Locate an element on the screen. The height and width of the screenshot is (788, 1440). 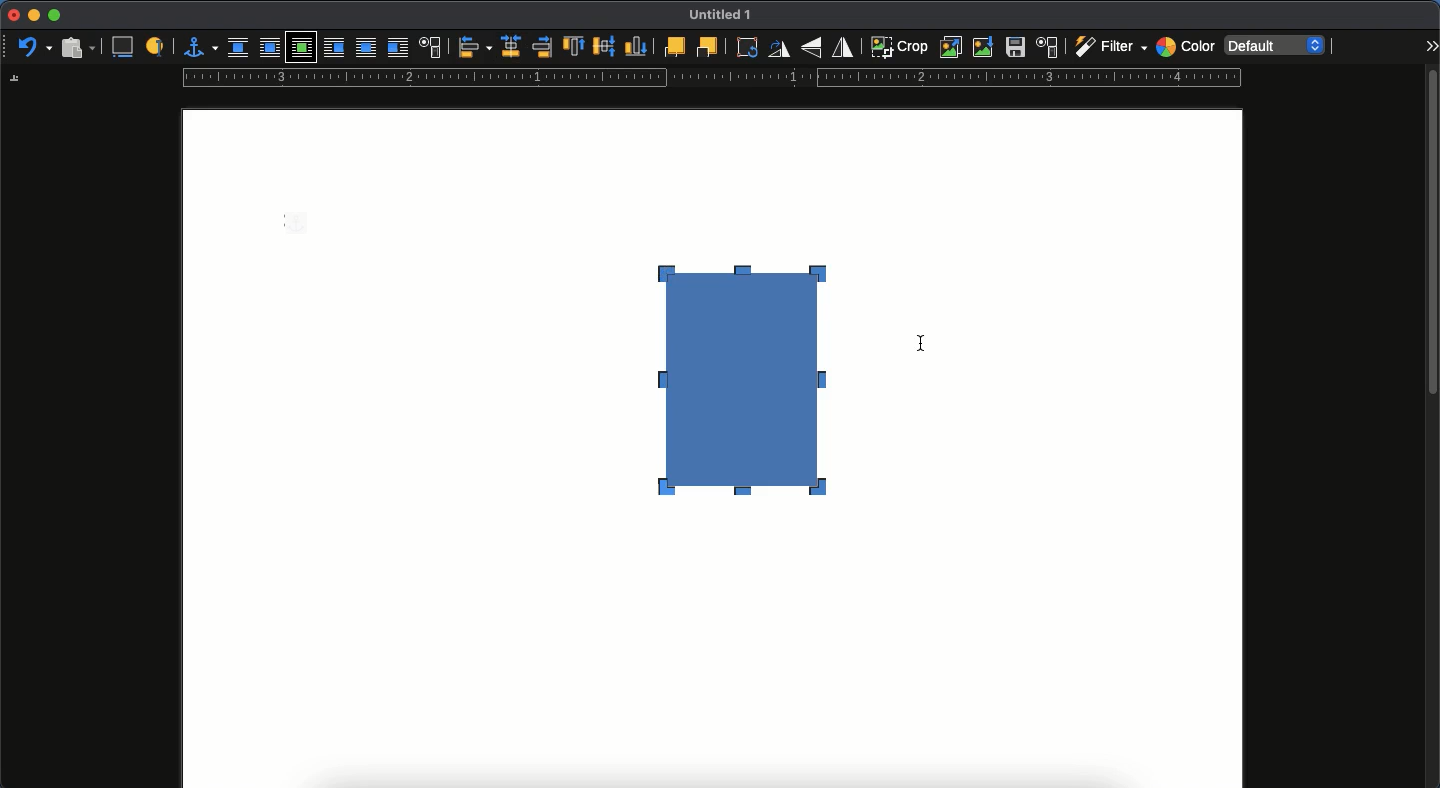
middle to anchor is located at coordinates (605, 46).